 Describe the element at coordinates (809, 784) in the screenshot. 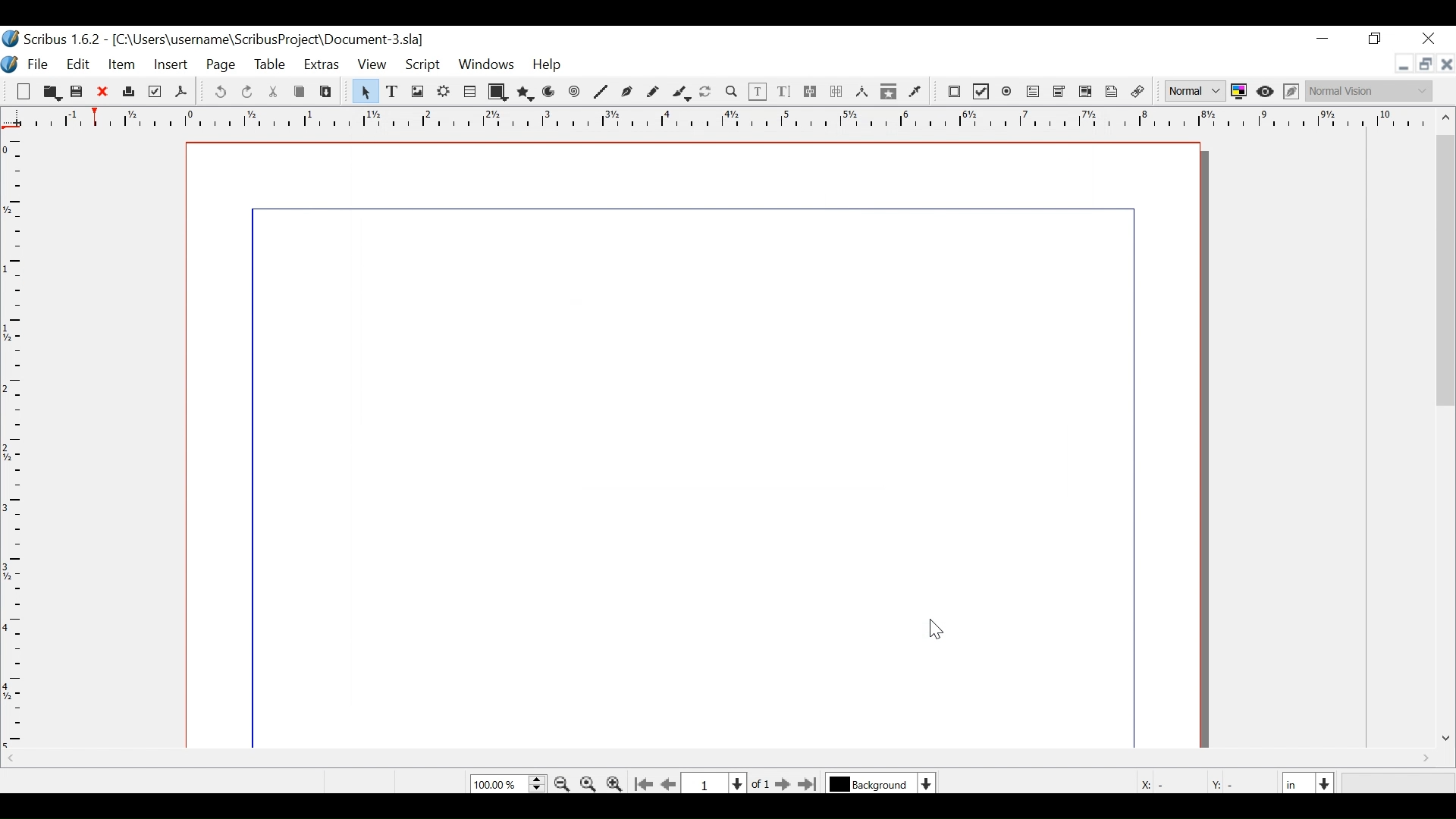

I see `Go to the last page` at that location.